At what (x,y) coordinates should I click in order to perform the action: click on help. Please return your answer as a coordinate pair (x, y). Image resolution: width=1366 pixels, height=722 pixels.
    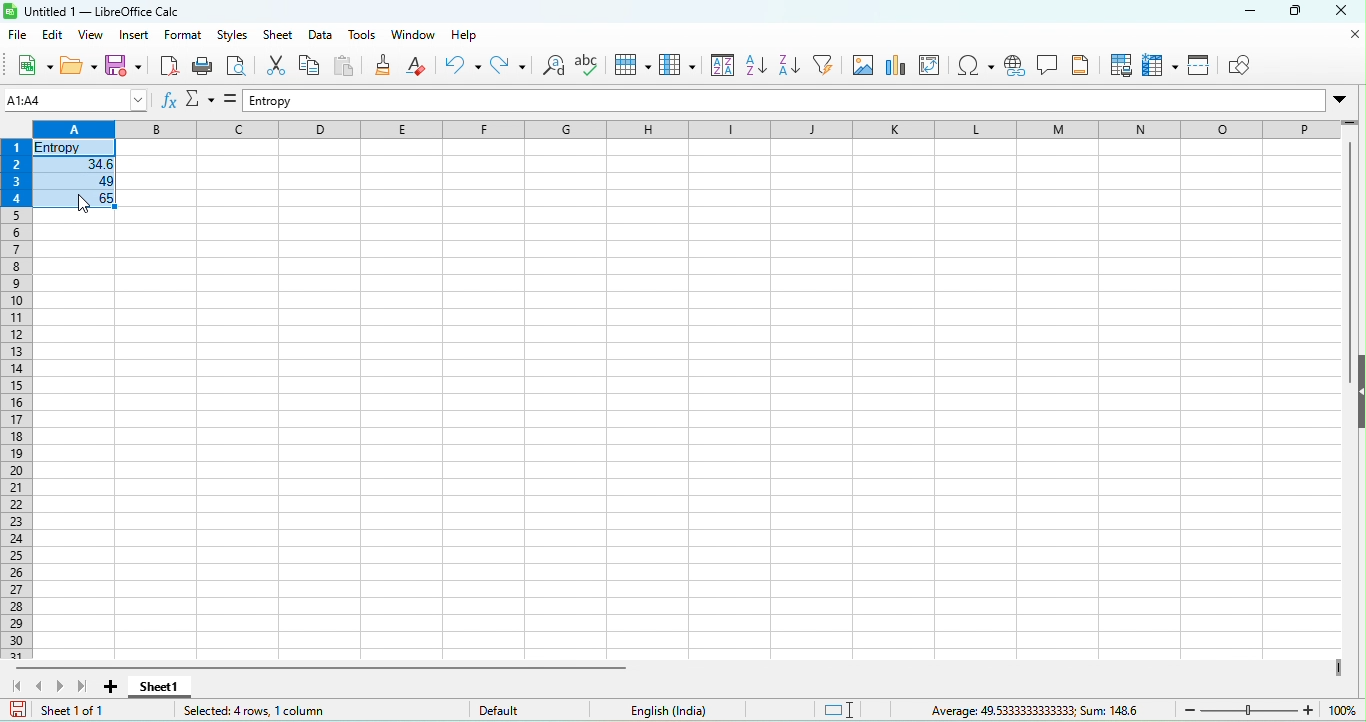
    Looking at the image, I should click on (470, 36).